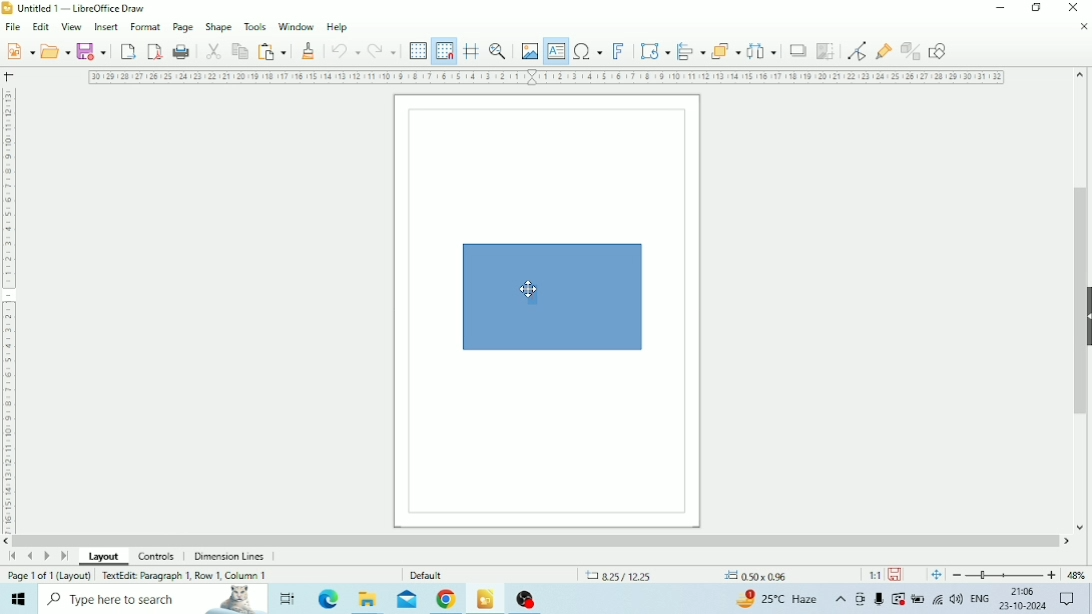  Describe the element at coordinates (381, 51) in the screenshot. I see `Redo` at that location.